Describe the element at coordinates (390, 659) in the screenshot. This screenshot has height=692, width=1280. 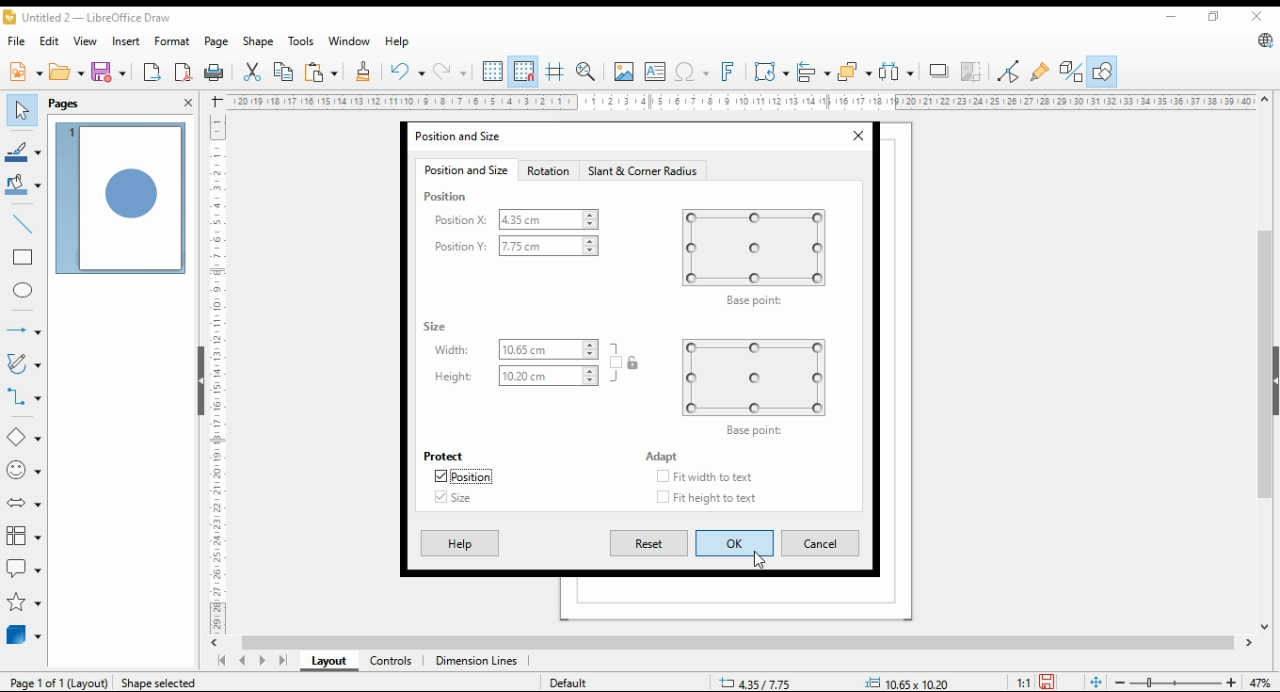
I see `controls` at that location.